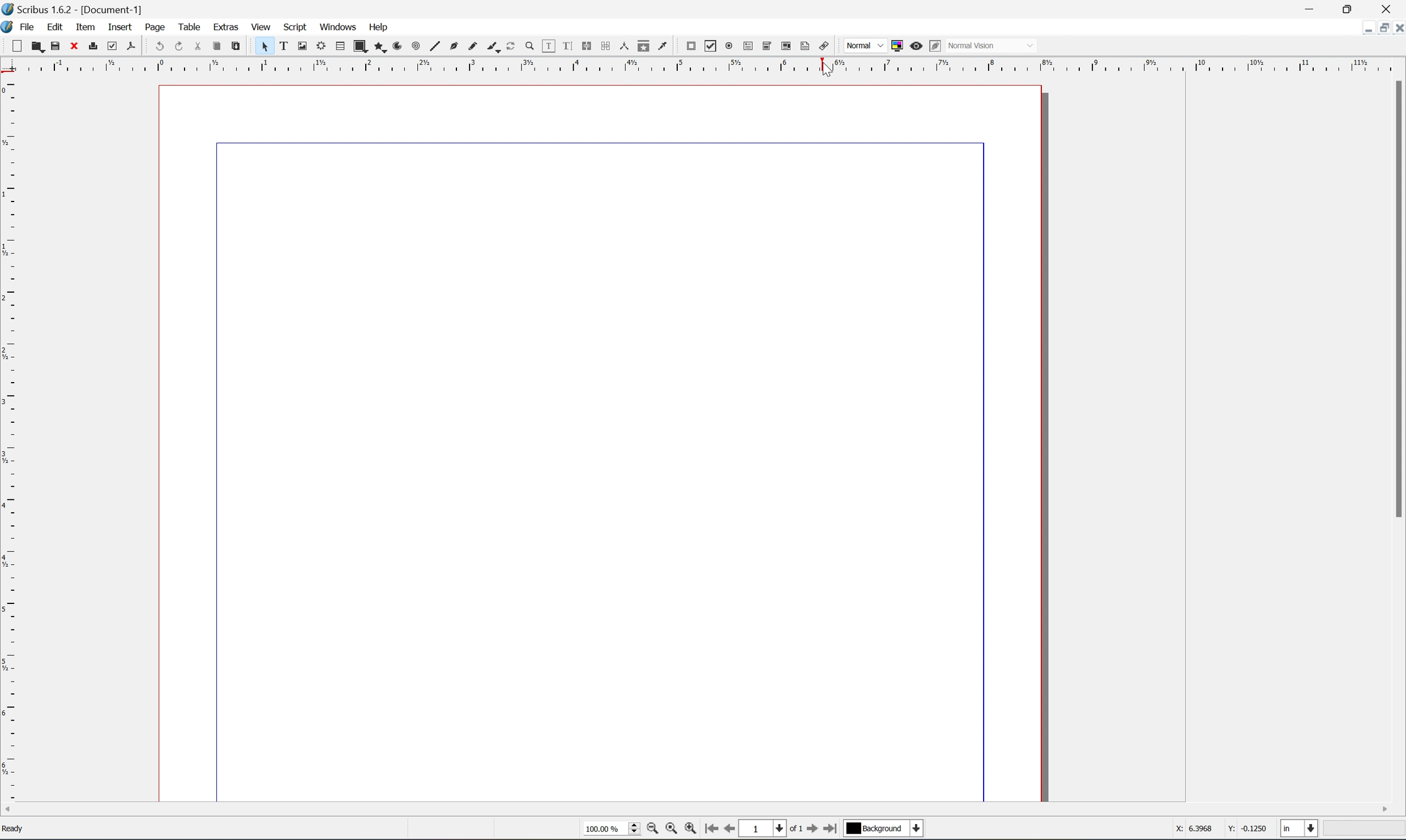  What do you see at coordinates (1357, 8) in the screenshot?
I see `restore down` at bounding box center [1357, 8].